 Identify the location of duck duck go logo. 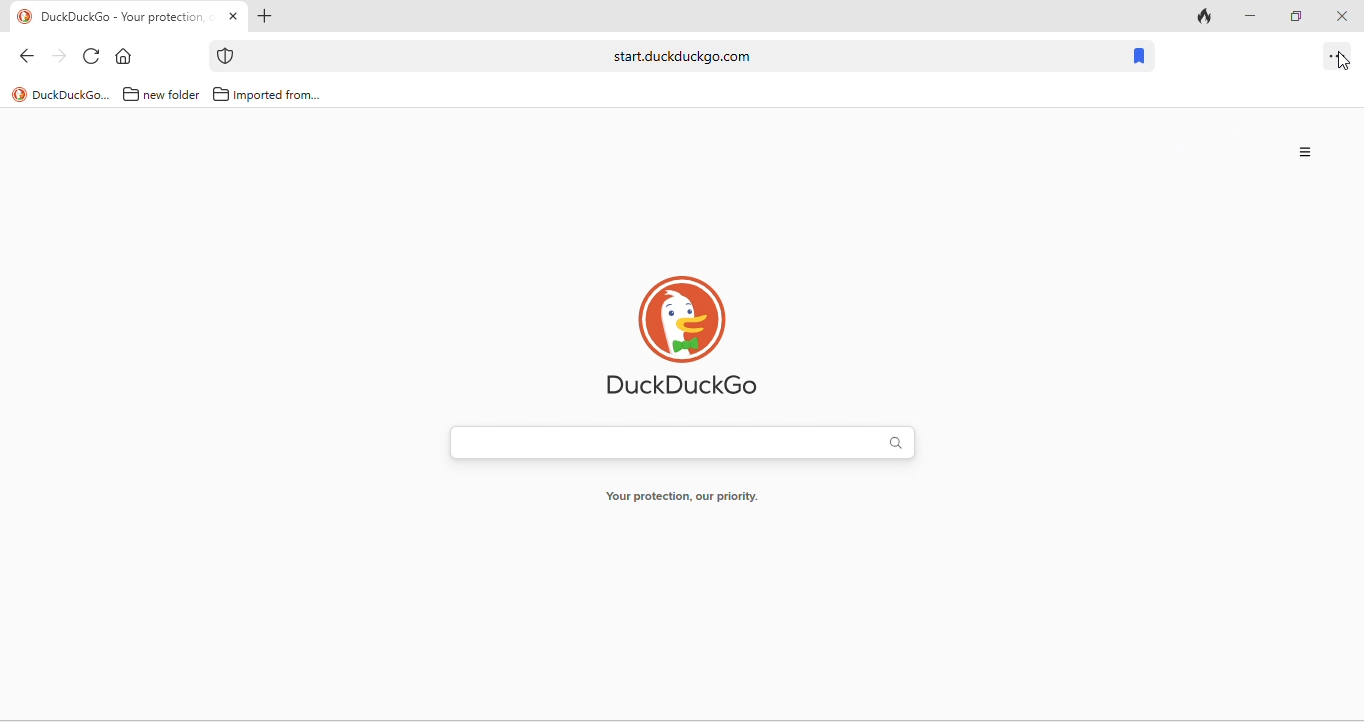
(683, 333).